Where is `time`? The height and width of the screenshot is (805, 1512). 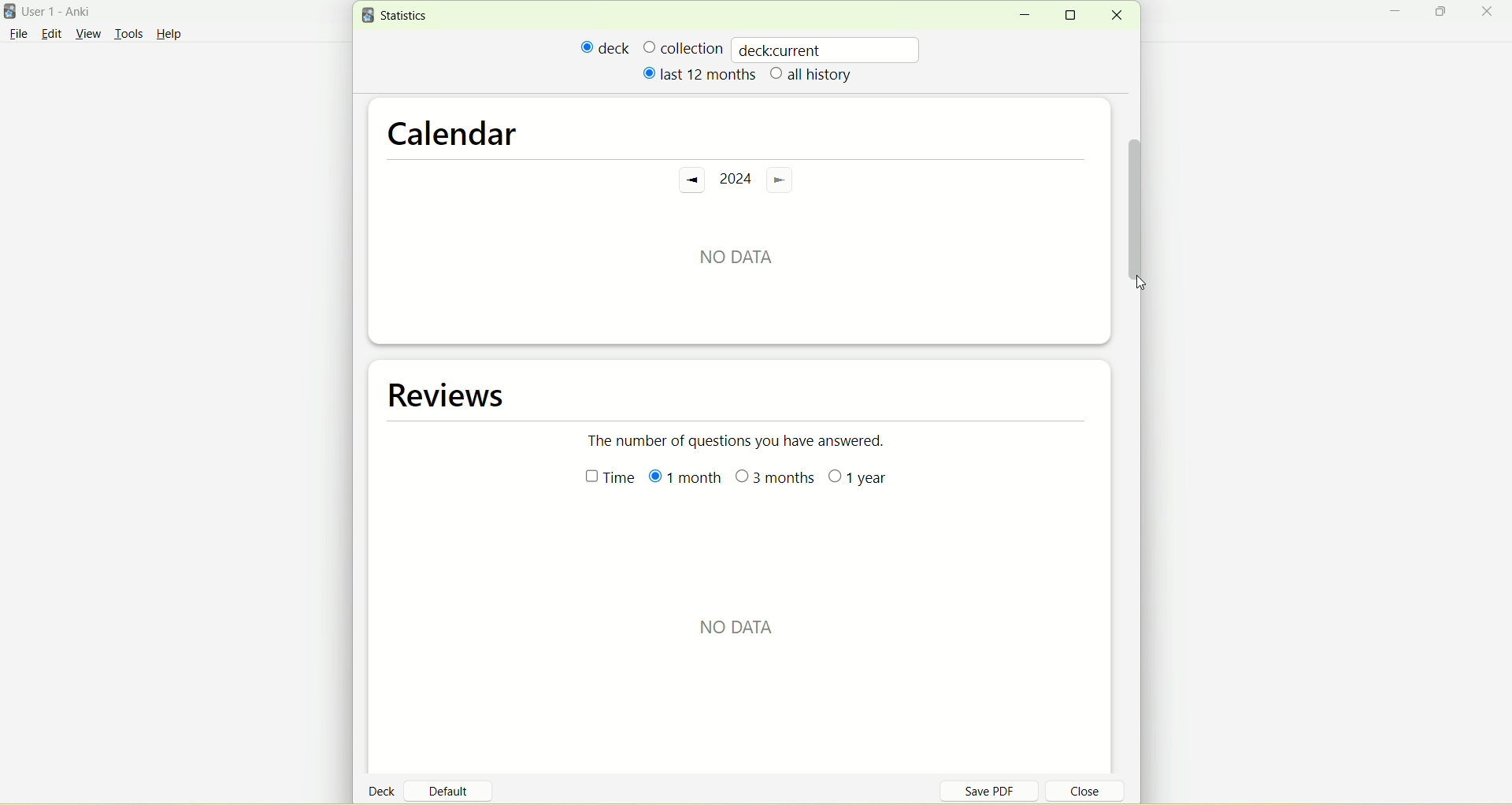
time is located at coordinates (602, 480).